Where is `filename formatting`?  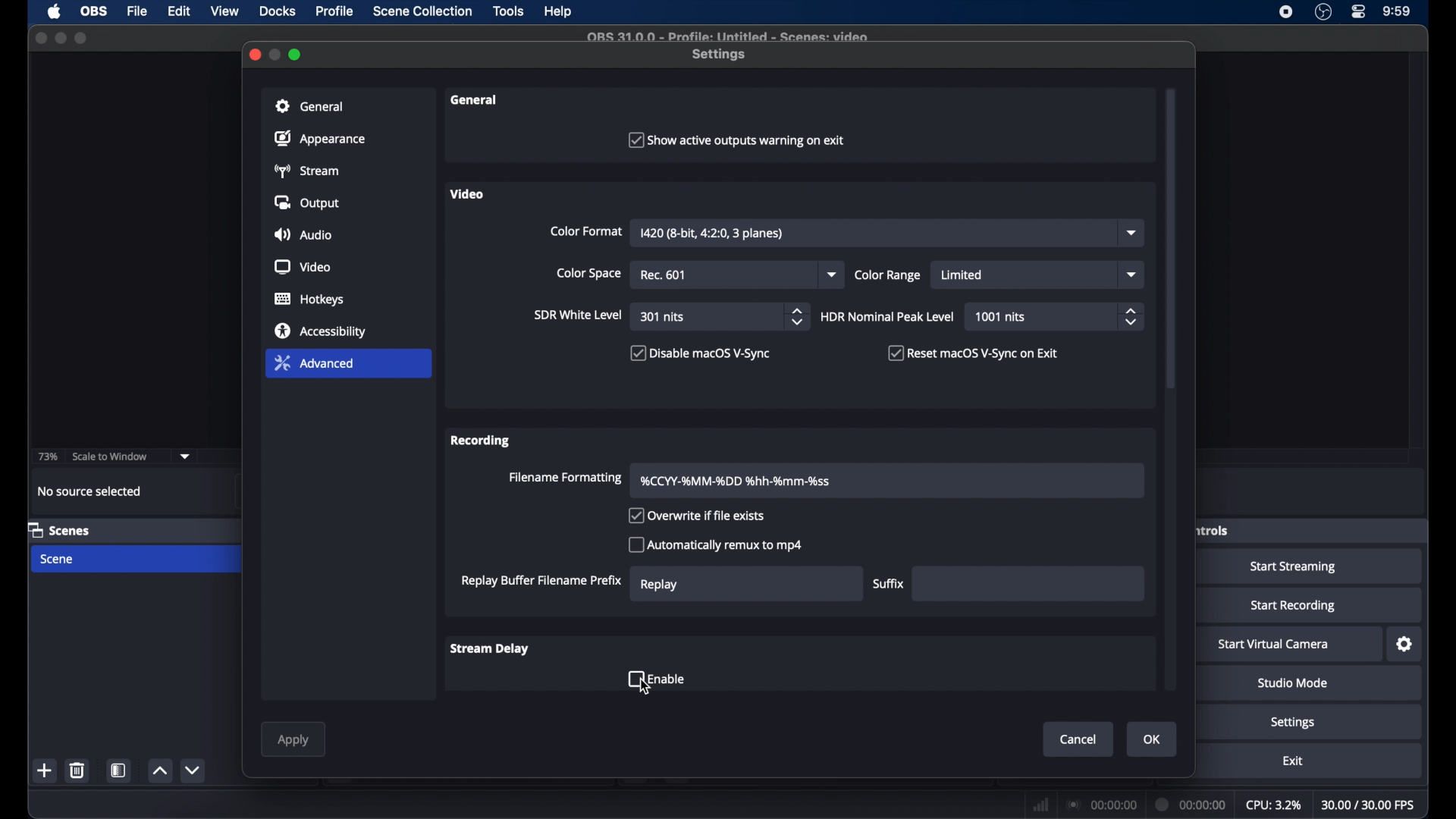
filename formatting is located at coordinates (566, 479).